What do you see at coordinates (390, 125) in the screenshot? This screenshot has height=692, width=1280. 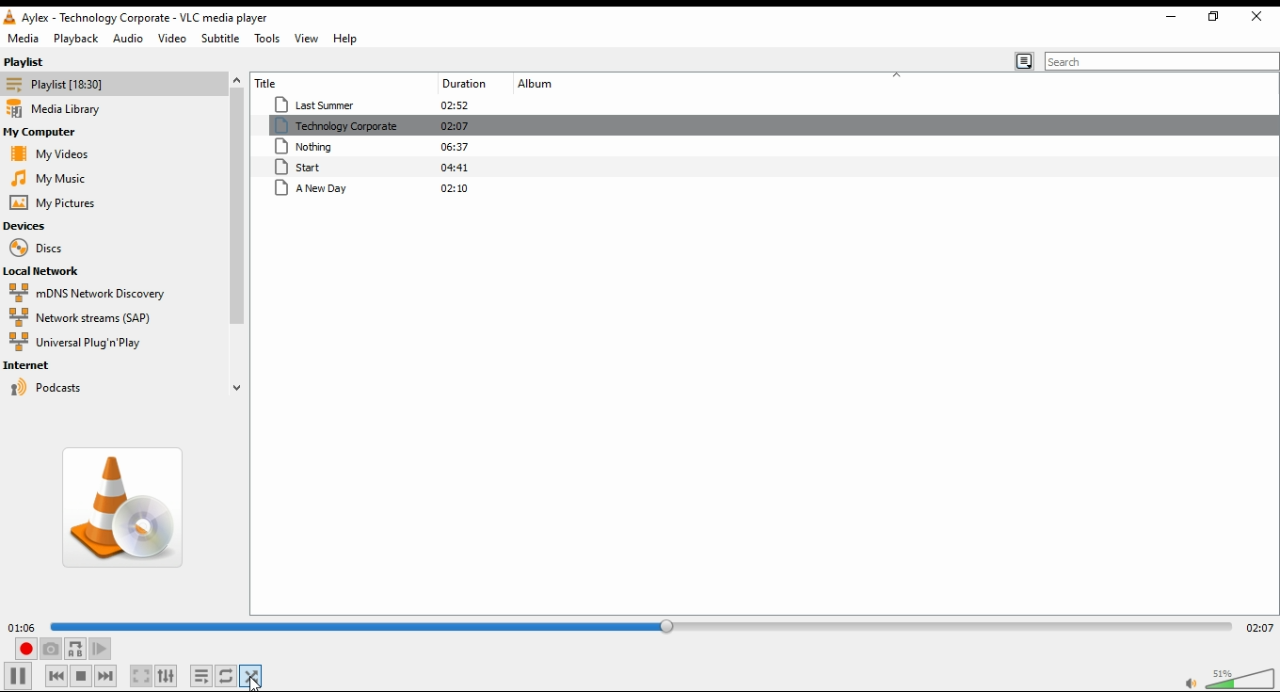 I see `technology corporate` at bounding box center [390, 125].